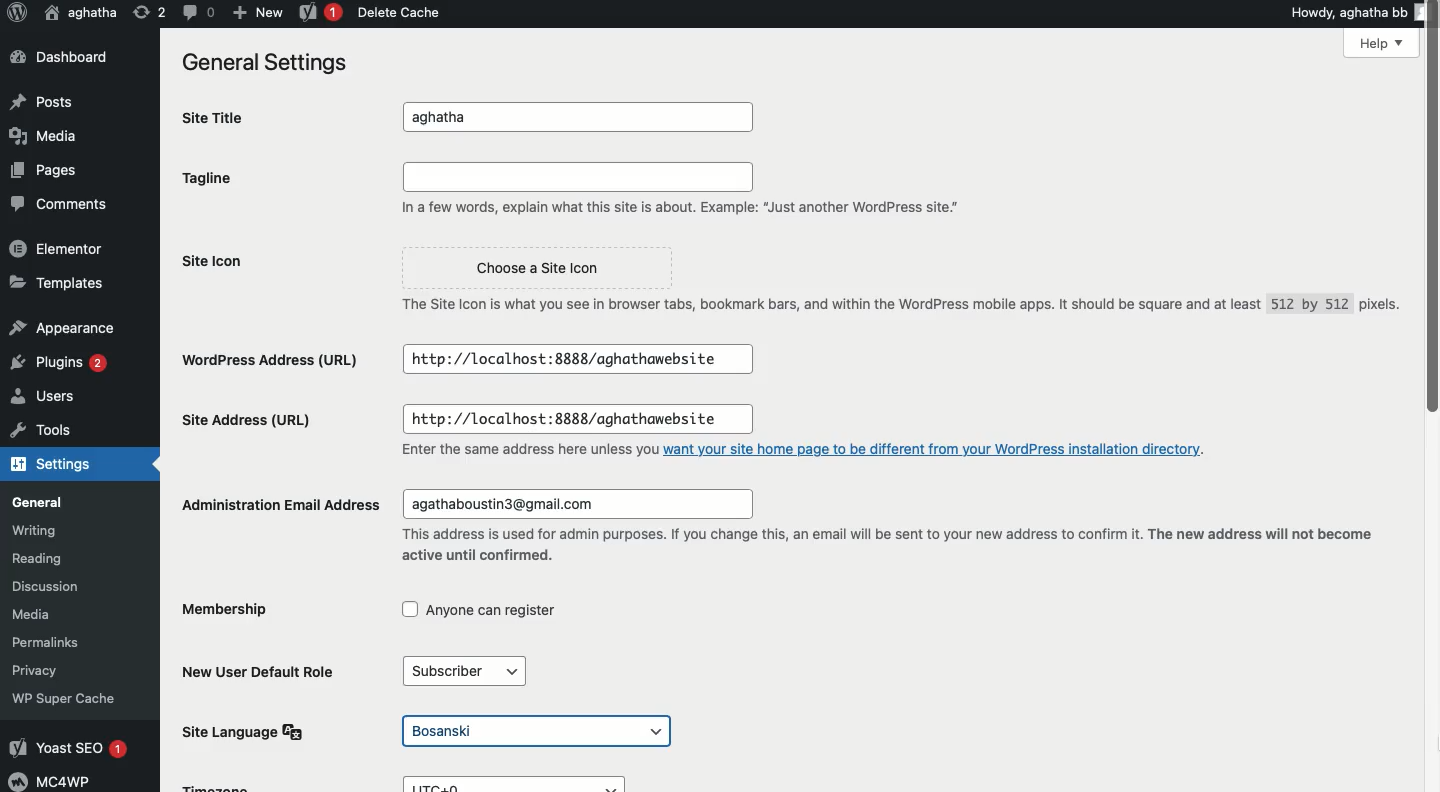  I want to click on General, so click(48, 501).